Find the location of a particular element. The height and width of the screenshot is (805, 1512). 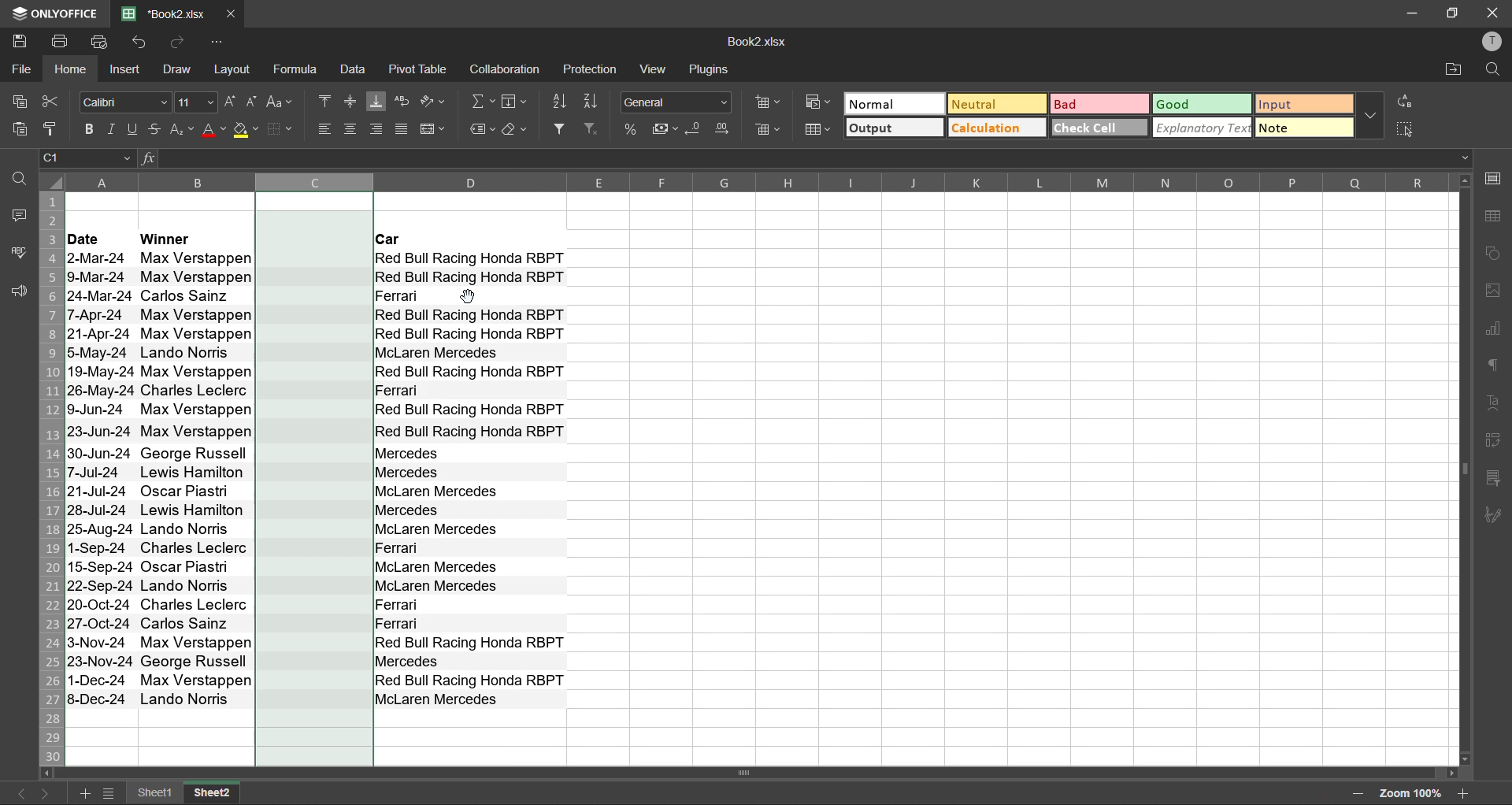

italic is located at coordinates (112, 130).